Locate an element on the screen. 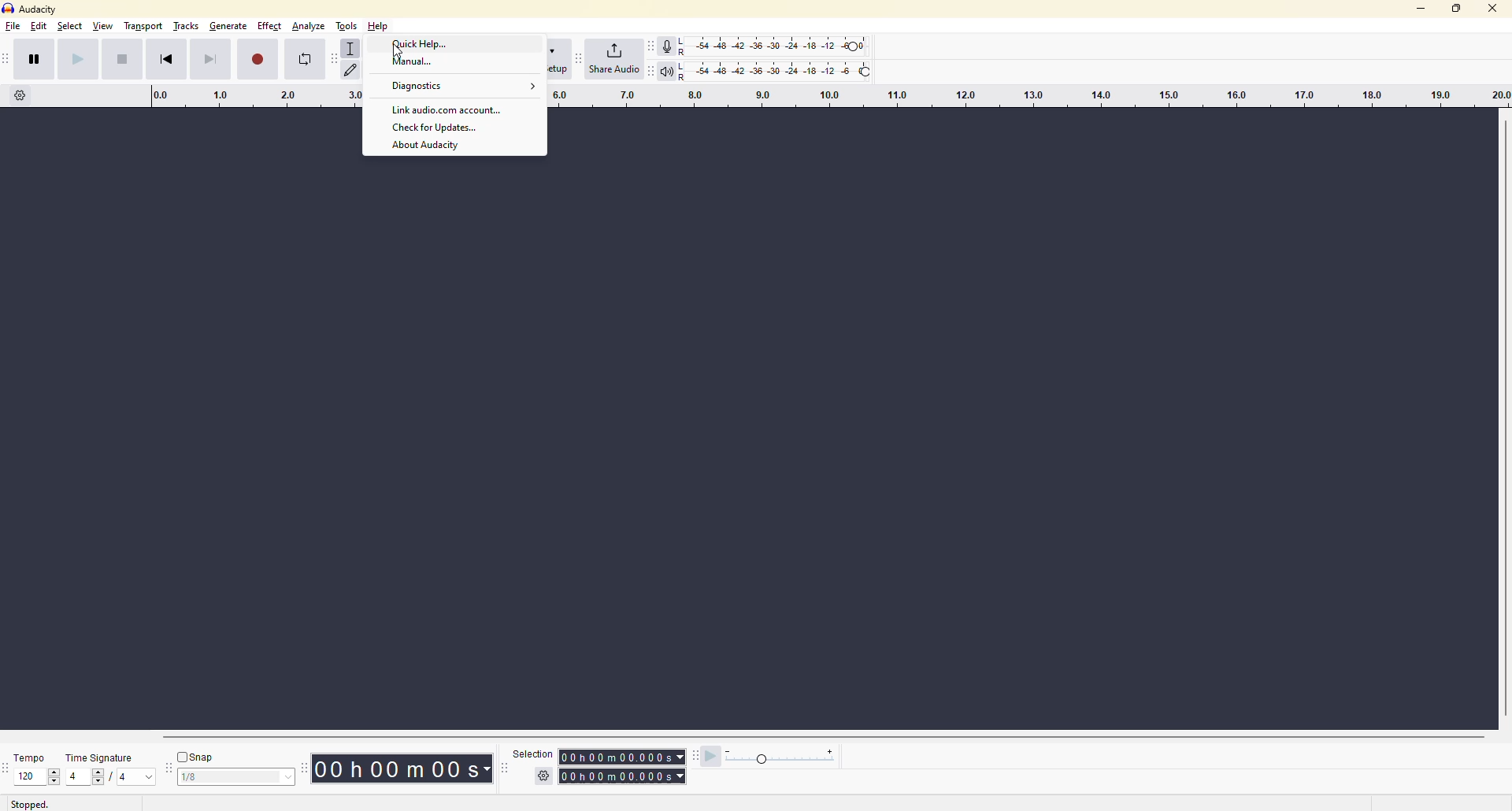  playback level is located at coordinates (786, 74).